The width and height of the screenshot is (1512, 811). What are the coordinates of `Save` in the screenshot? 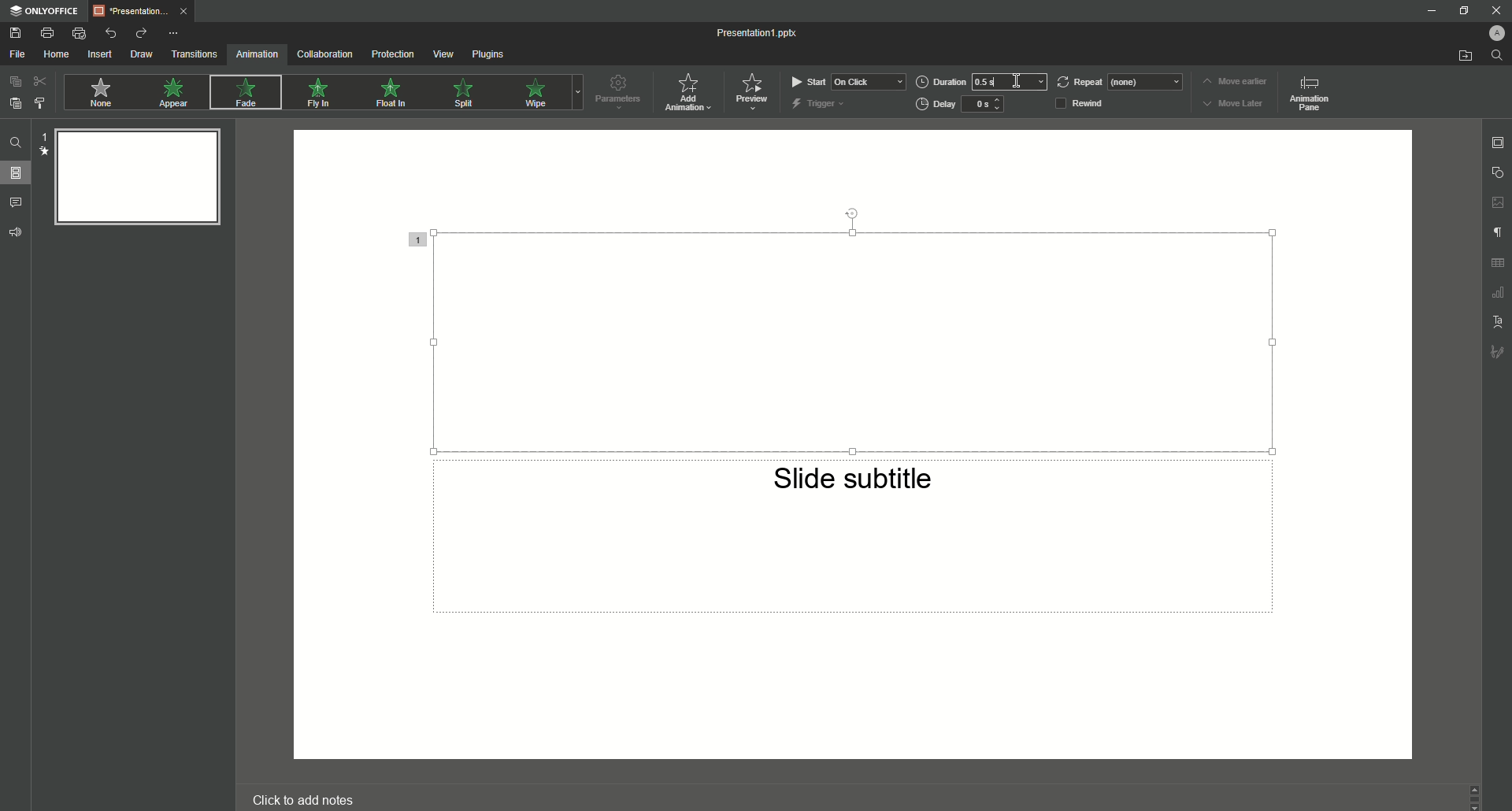 It's located at (20, 31).